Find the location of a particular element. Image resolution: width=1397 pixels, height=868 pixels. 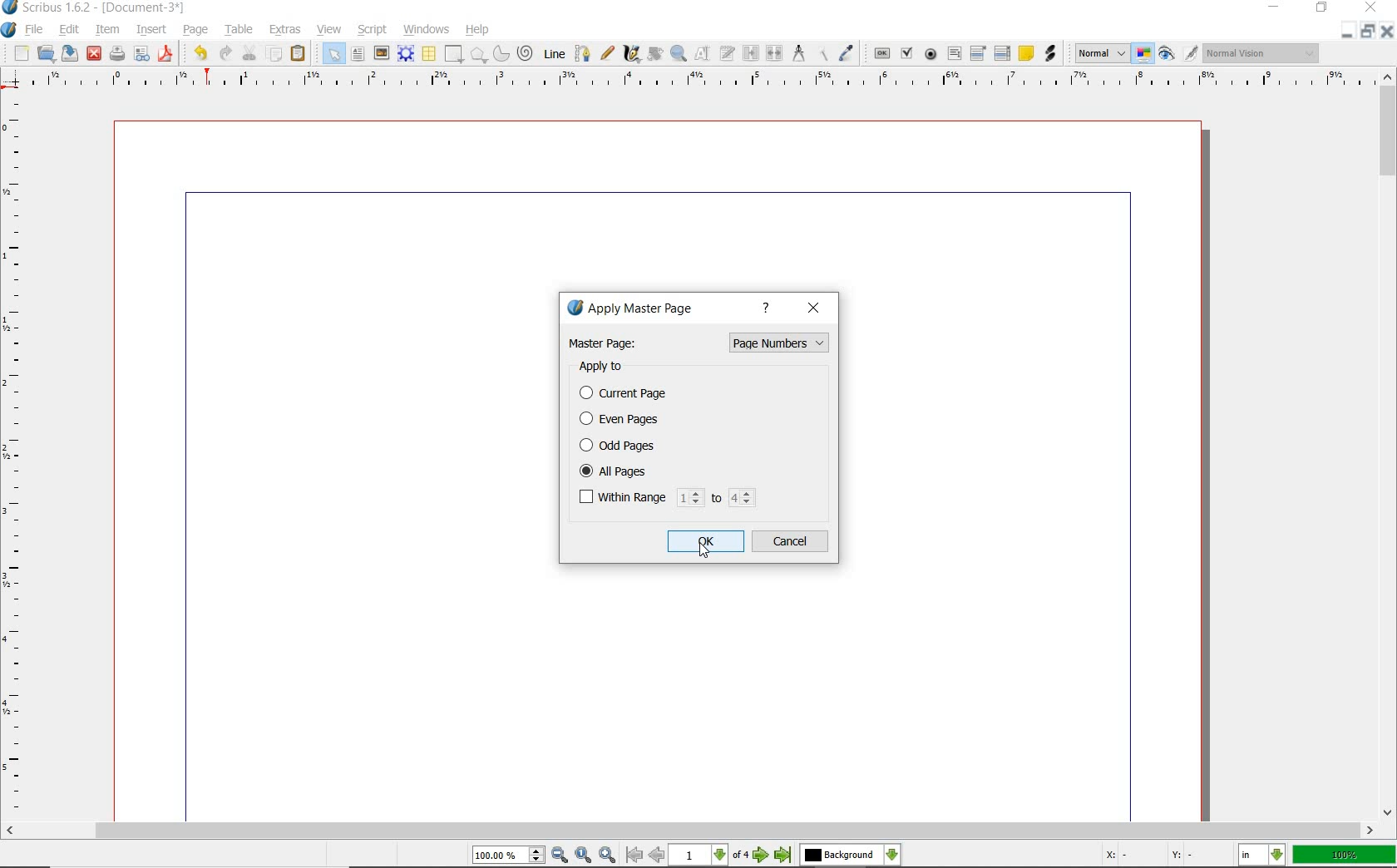

apply master page is located at coordinates (635, 310).